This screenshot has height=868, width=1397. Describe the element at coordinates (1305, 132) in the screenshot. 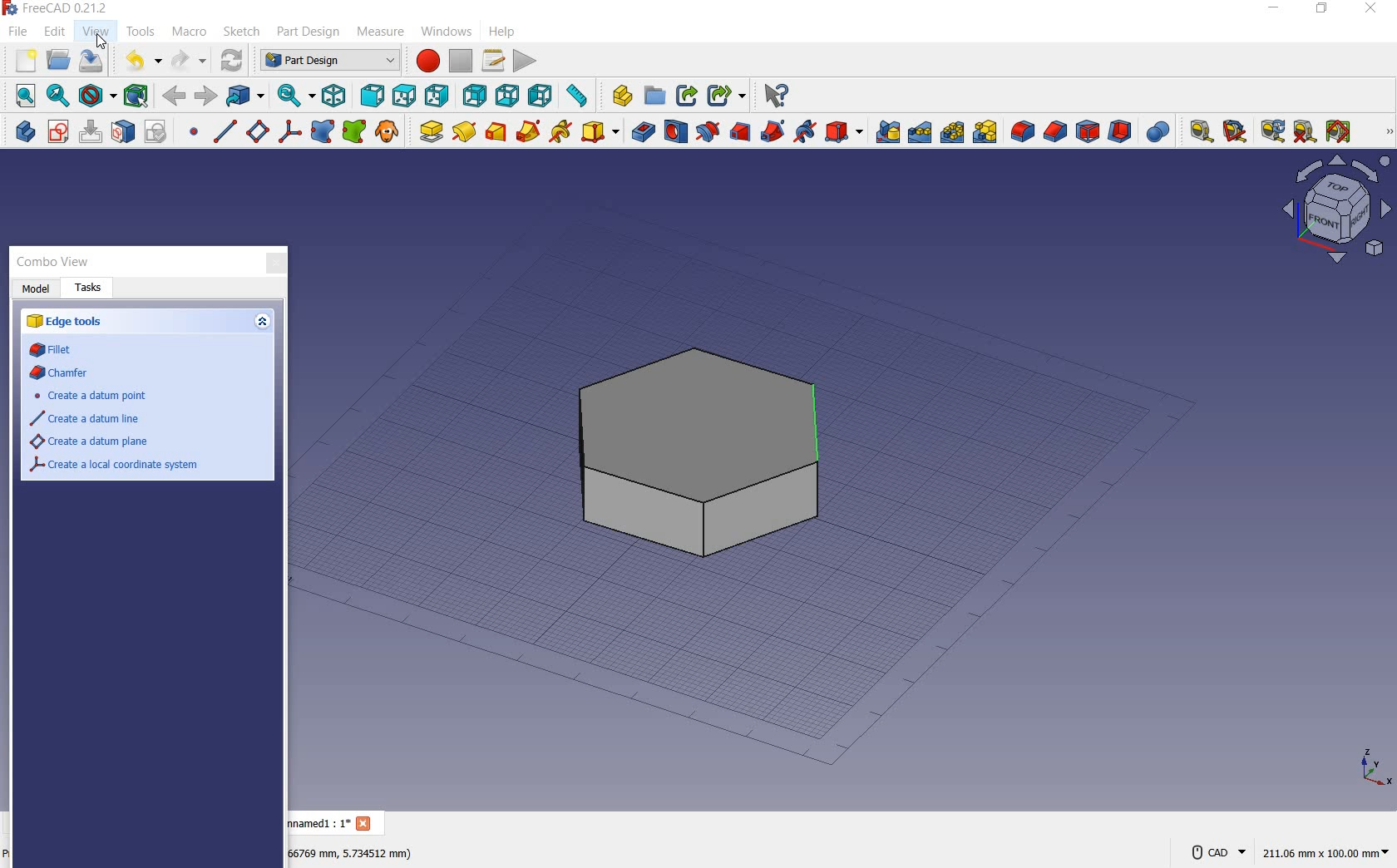

I see `clear all` at that location.